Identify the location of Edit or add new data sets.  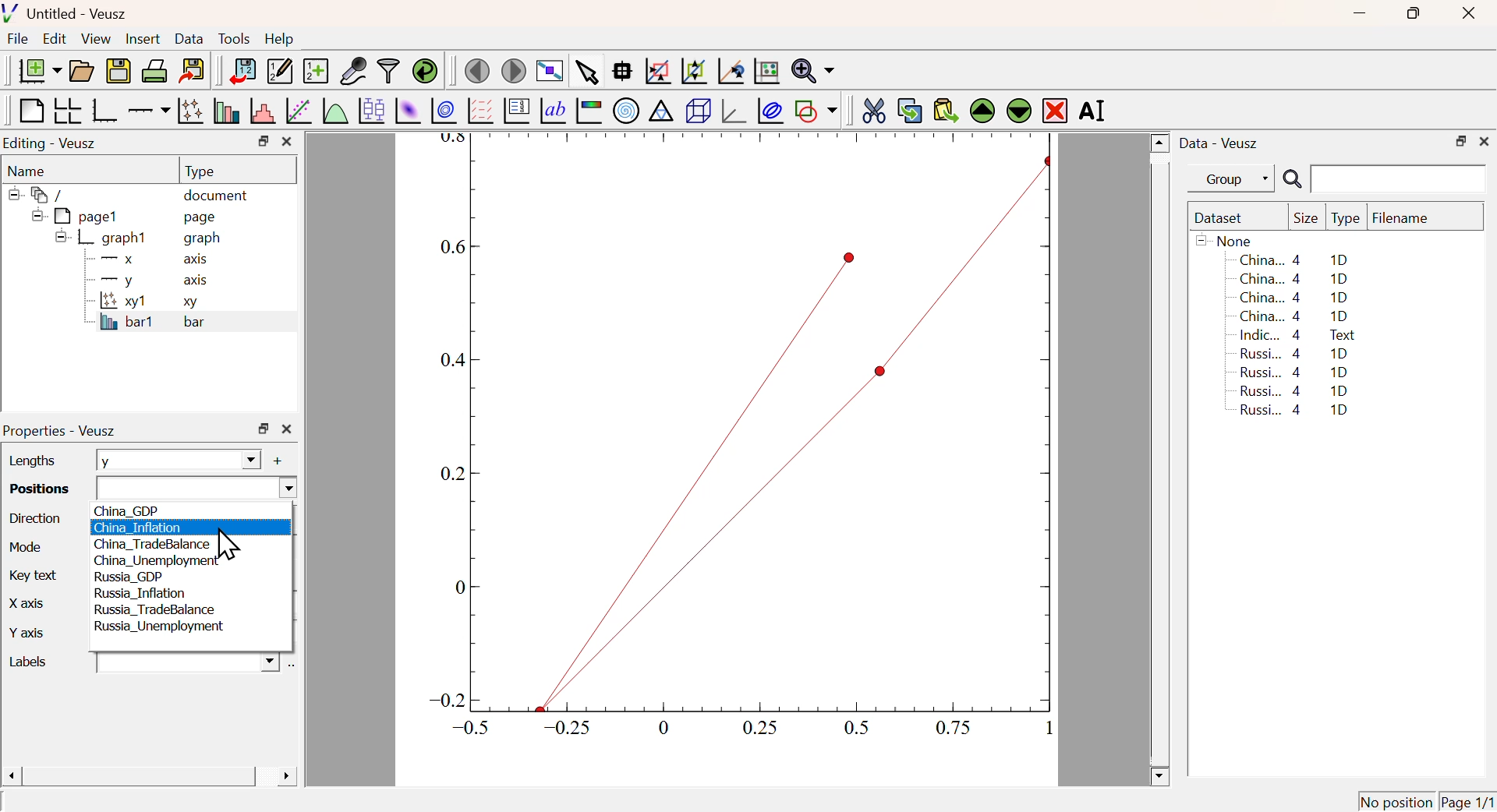
(278, 72).